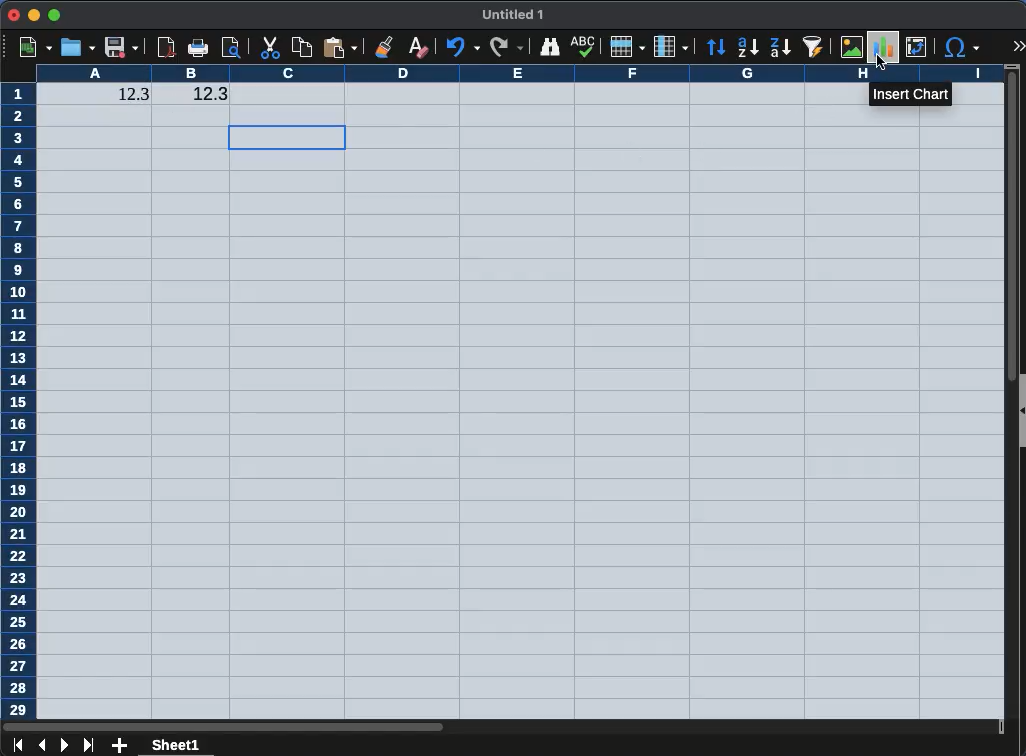 The height and width of the screenshot is (756, 1026). I want to click on copy, so click(304, 47).